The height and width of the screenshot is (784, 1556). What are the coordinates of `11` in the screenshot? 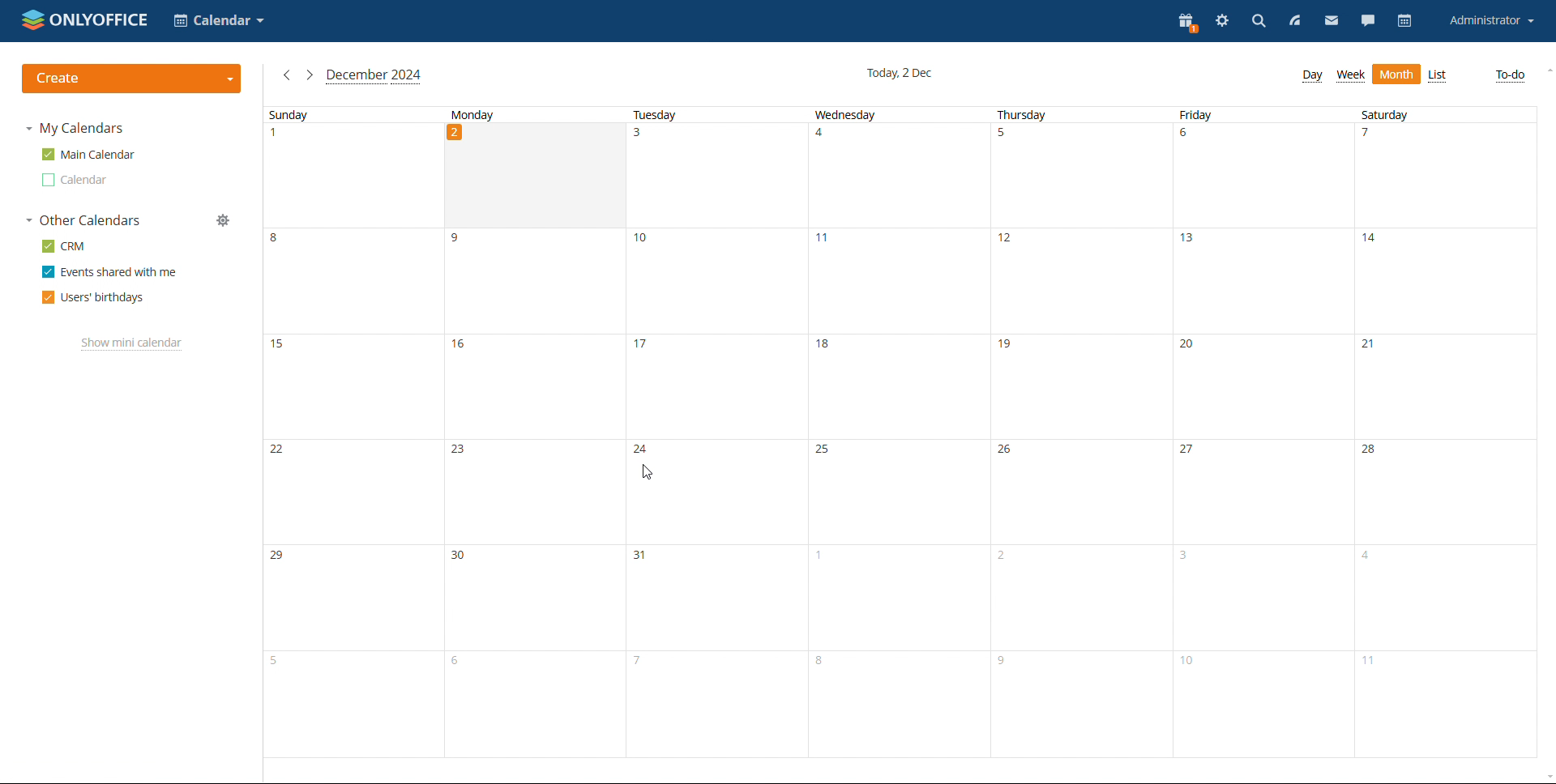 It's located at (828, 242).